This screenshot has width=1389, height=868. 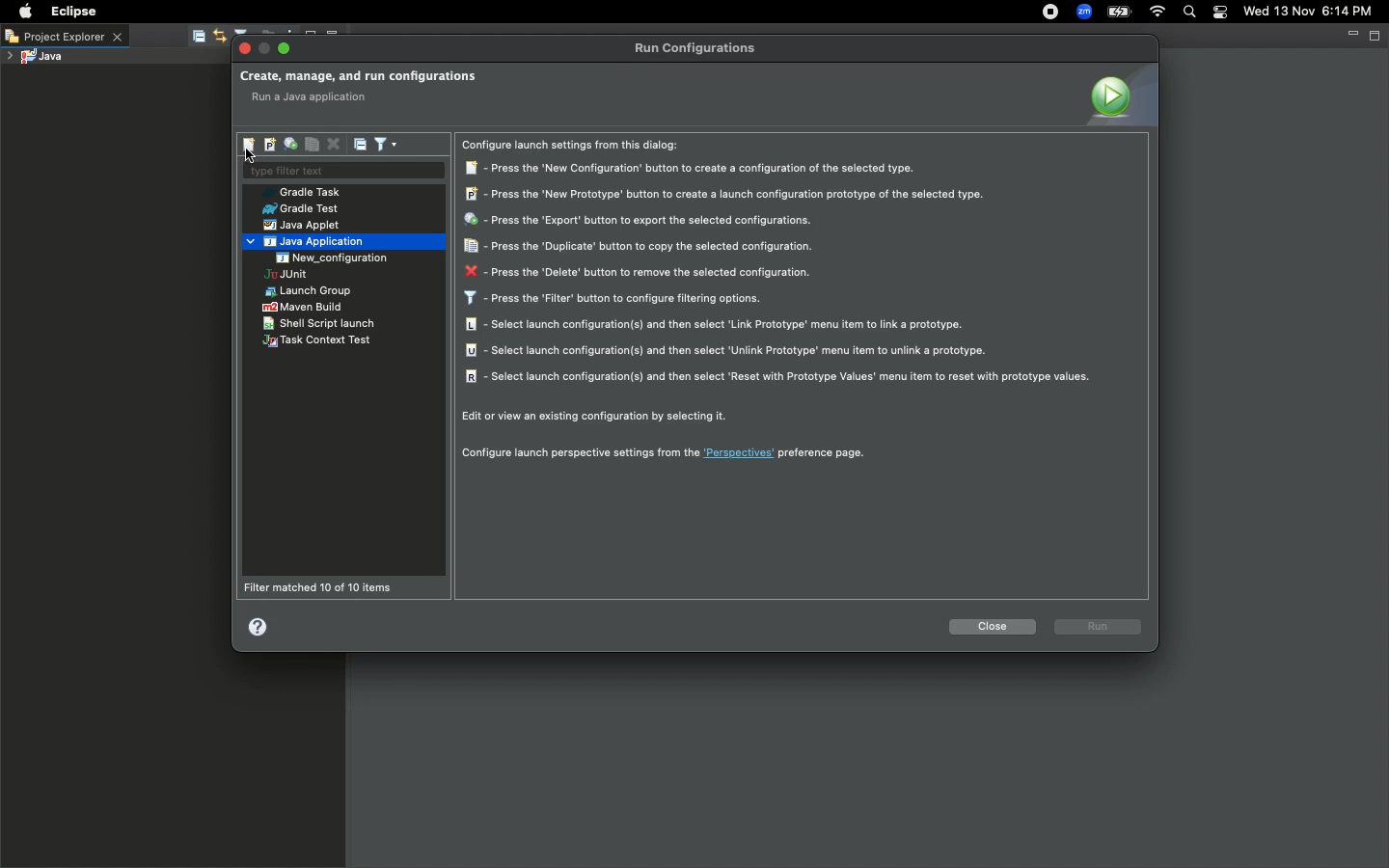 What do you see at coordinates (636, 272) in the screenshot?
I see `Press the 'Delete' button to remove the selected configuration.` at bounding box center [636, 272].